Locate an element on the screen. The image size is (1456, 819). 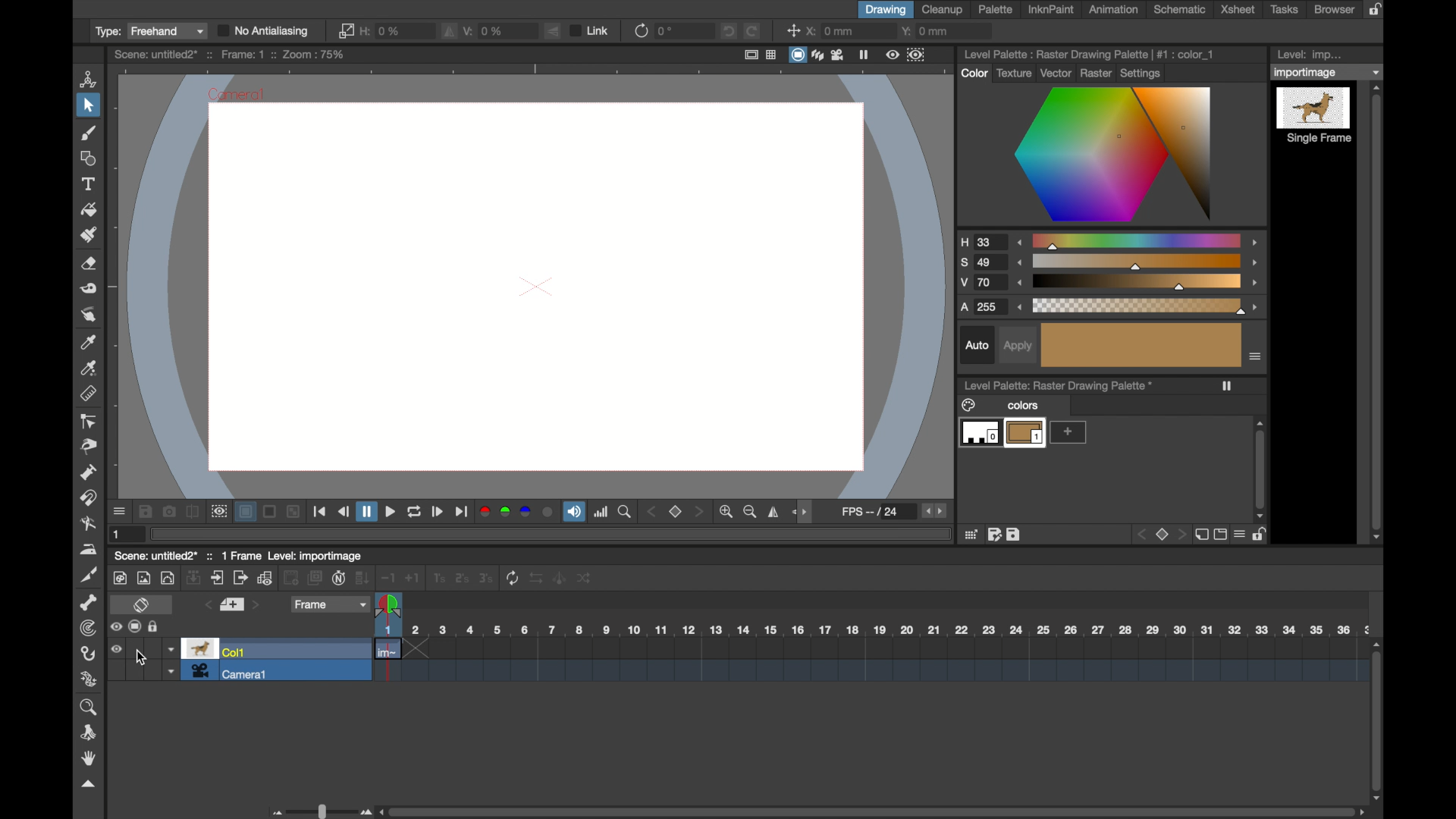
zoom out is located at coordinates (752, 513).